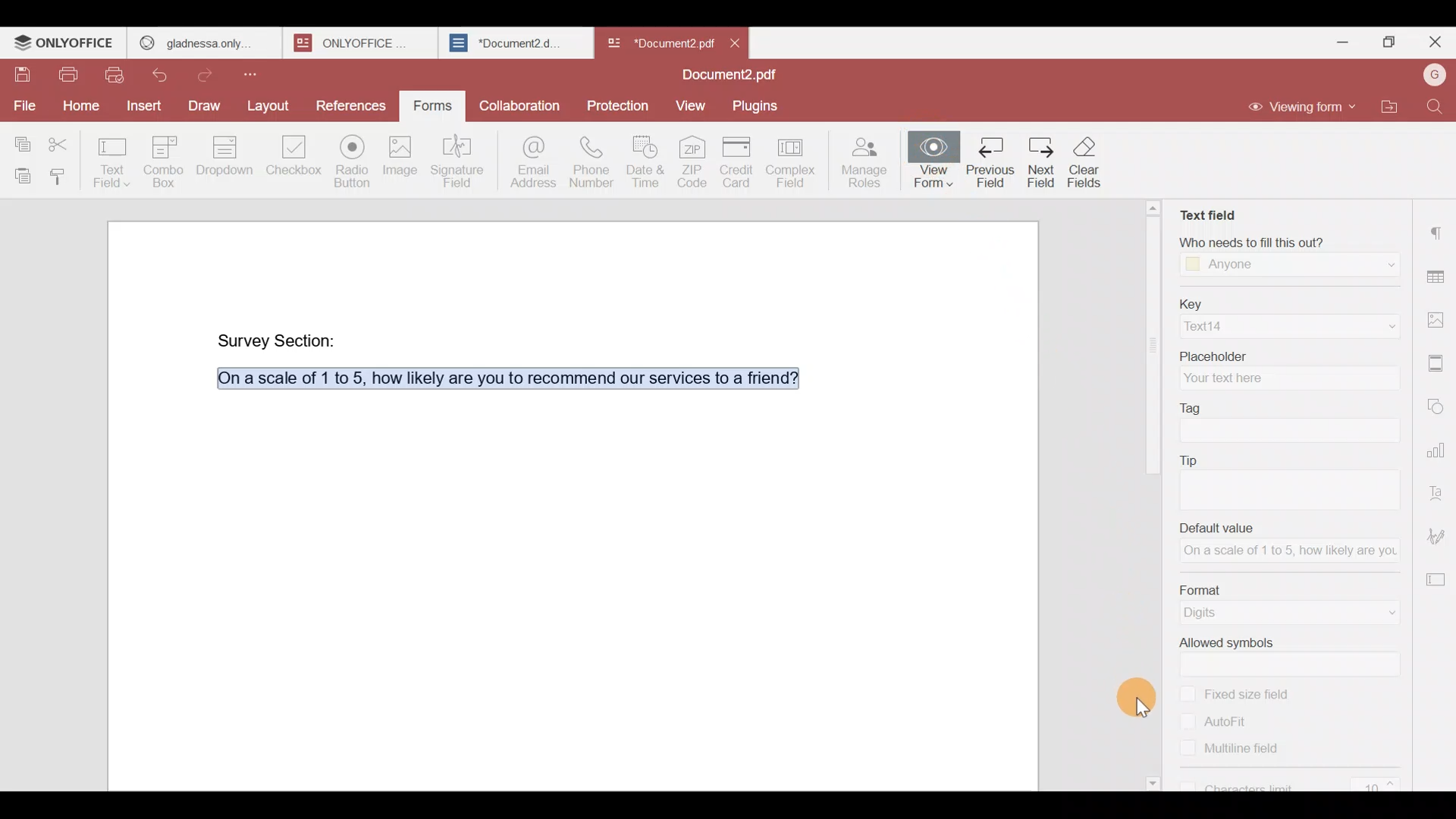  What do you see at coordinates (22, 137) in the screenshot?
I see `Copy` at bounding box center [22, 137].